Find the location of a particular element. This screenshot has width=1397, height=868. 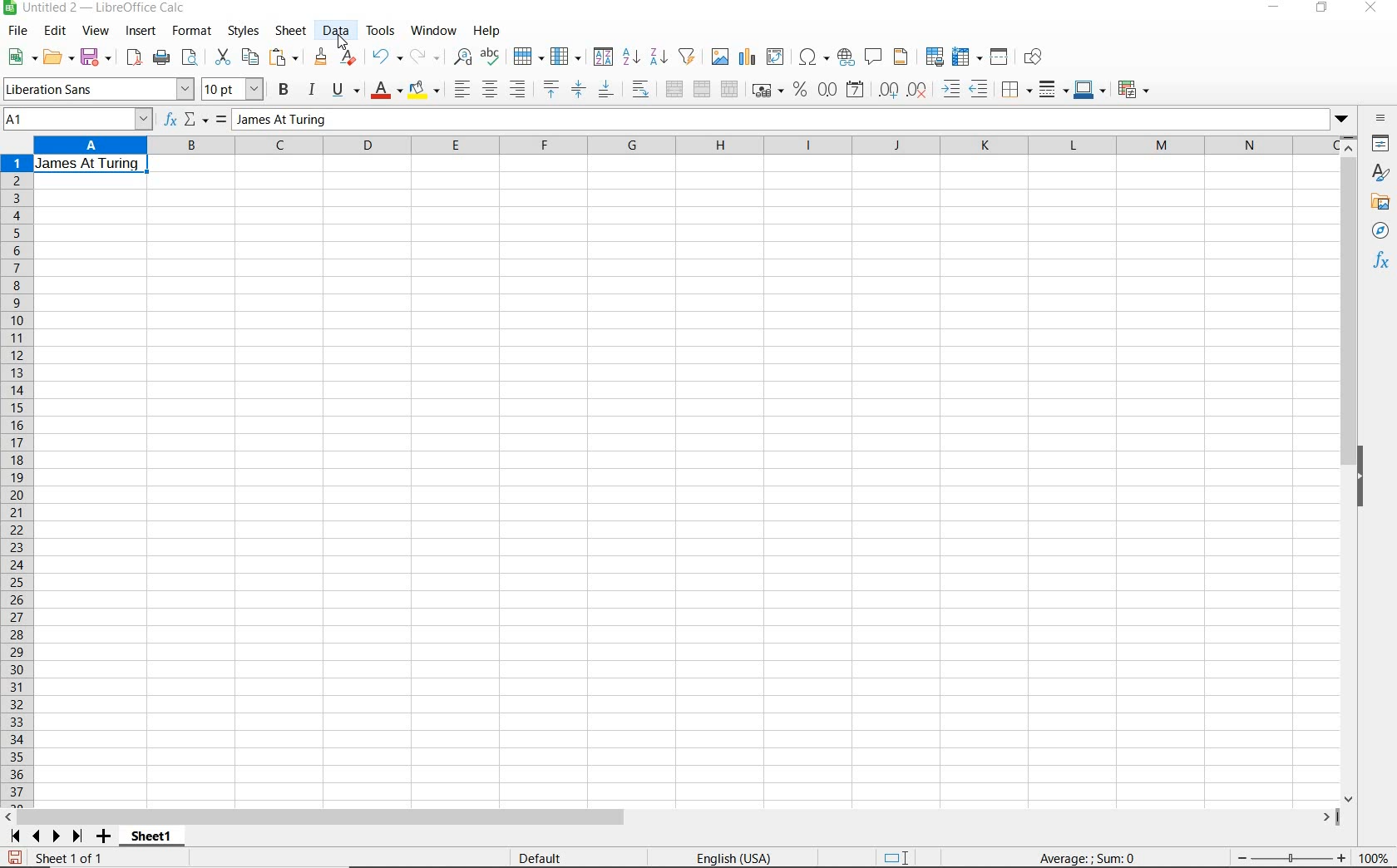

cursor is located at coordinates (343, 43).